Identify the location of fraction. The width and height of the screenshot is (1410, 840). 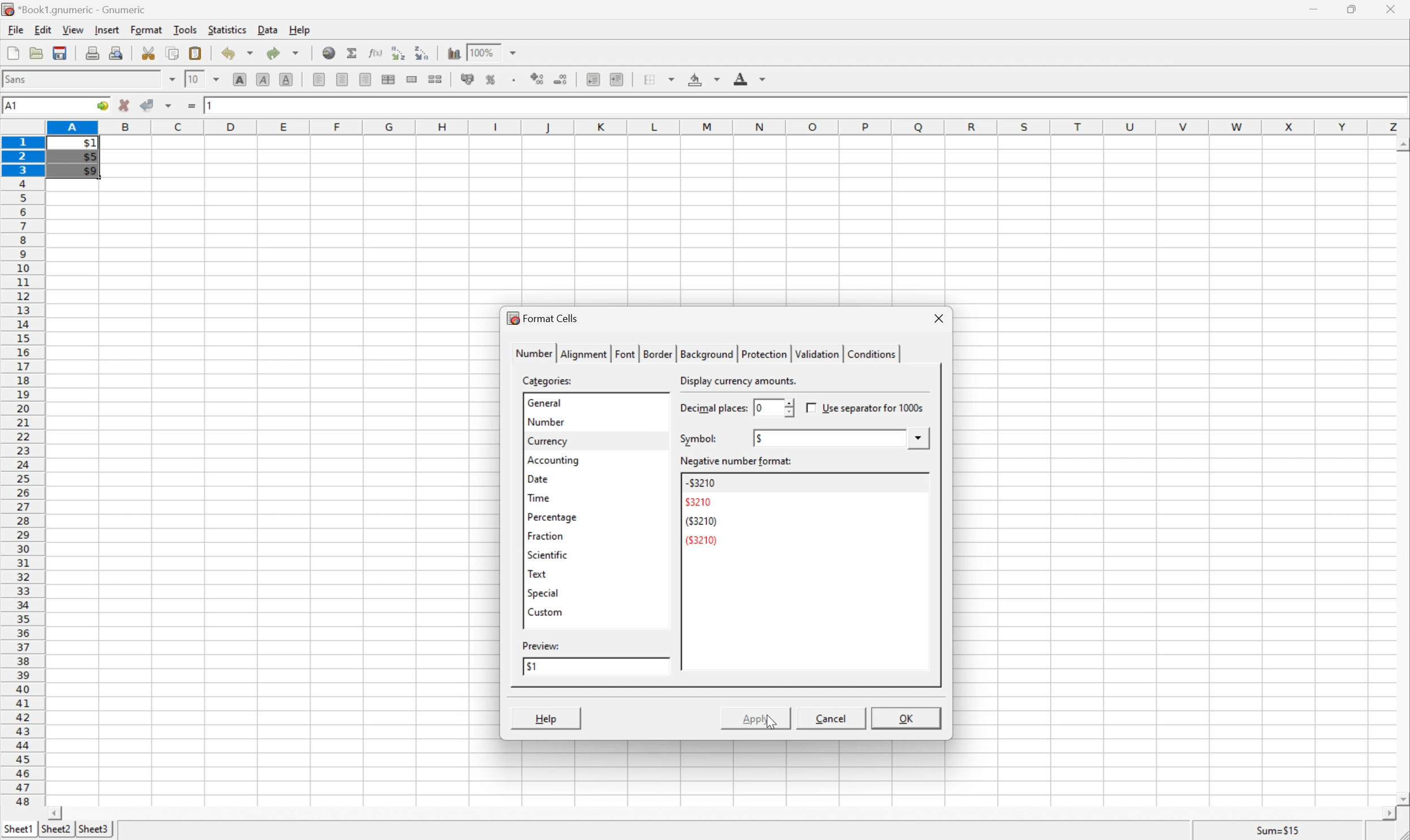
(545, 535).